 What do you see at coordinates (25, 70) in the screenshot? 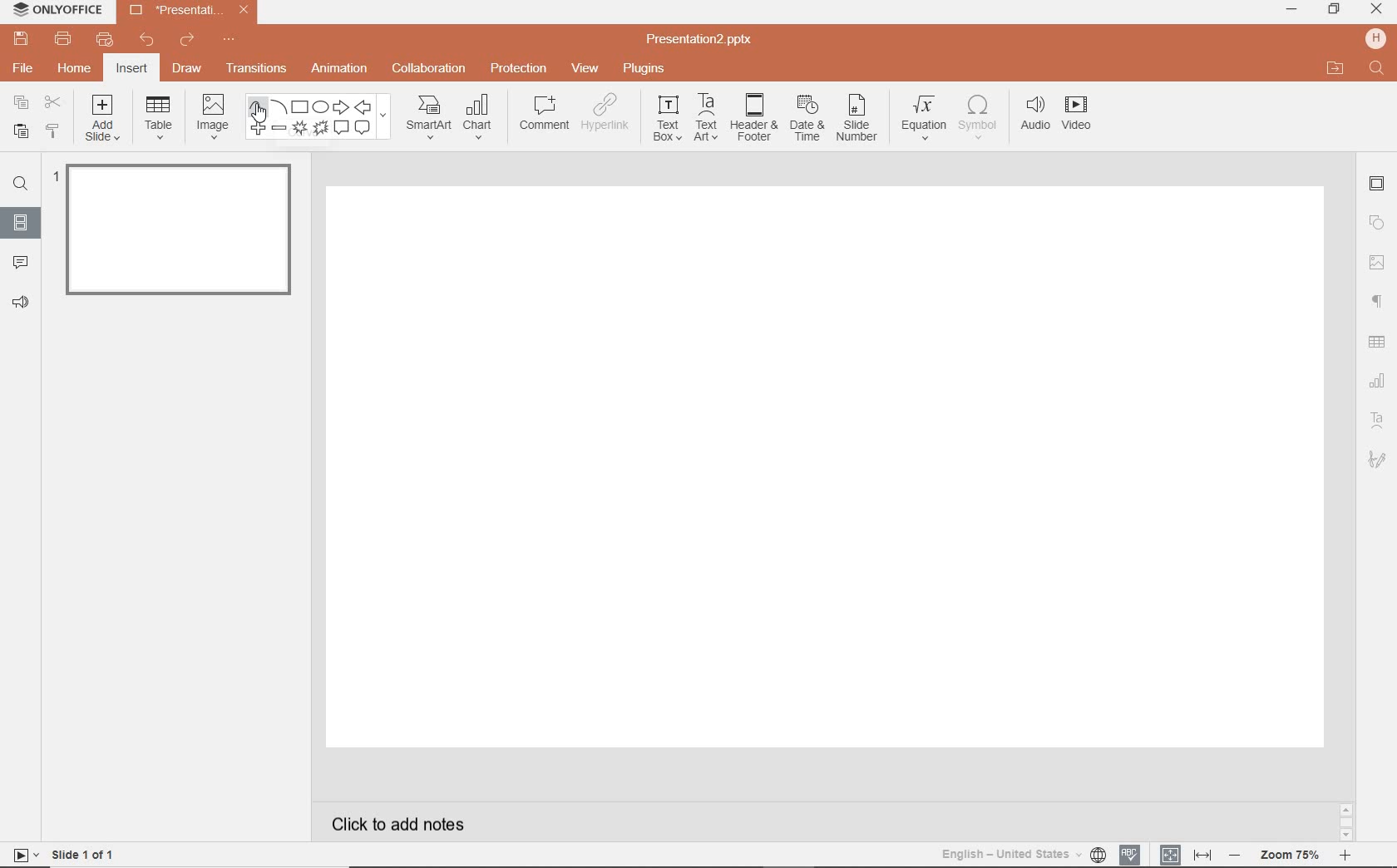
I see `FILE ` at bounding box center [25, 70].